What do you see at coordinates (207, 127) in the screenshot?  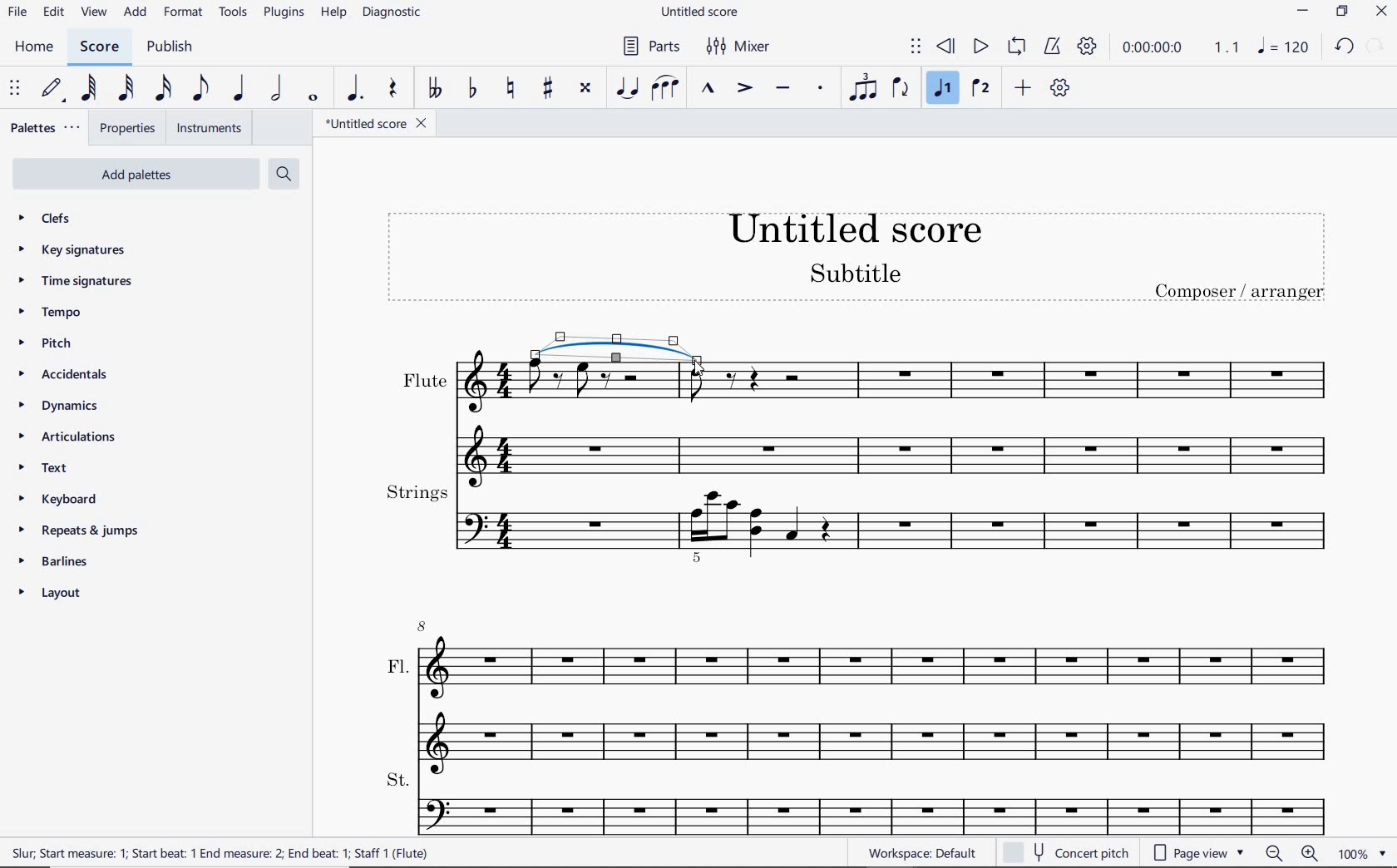 I see `INSTRUMENTS` at bounding box center [207, 127].